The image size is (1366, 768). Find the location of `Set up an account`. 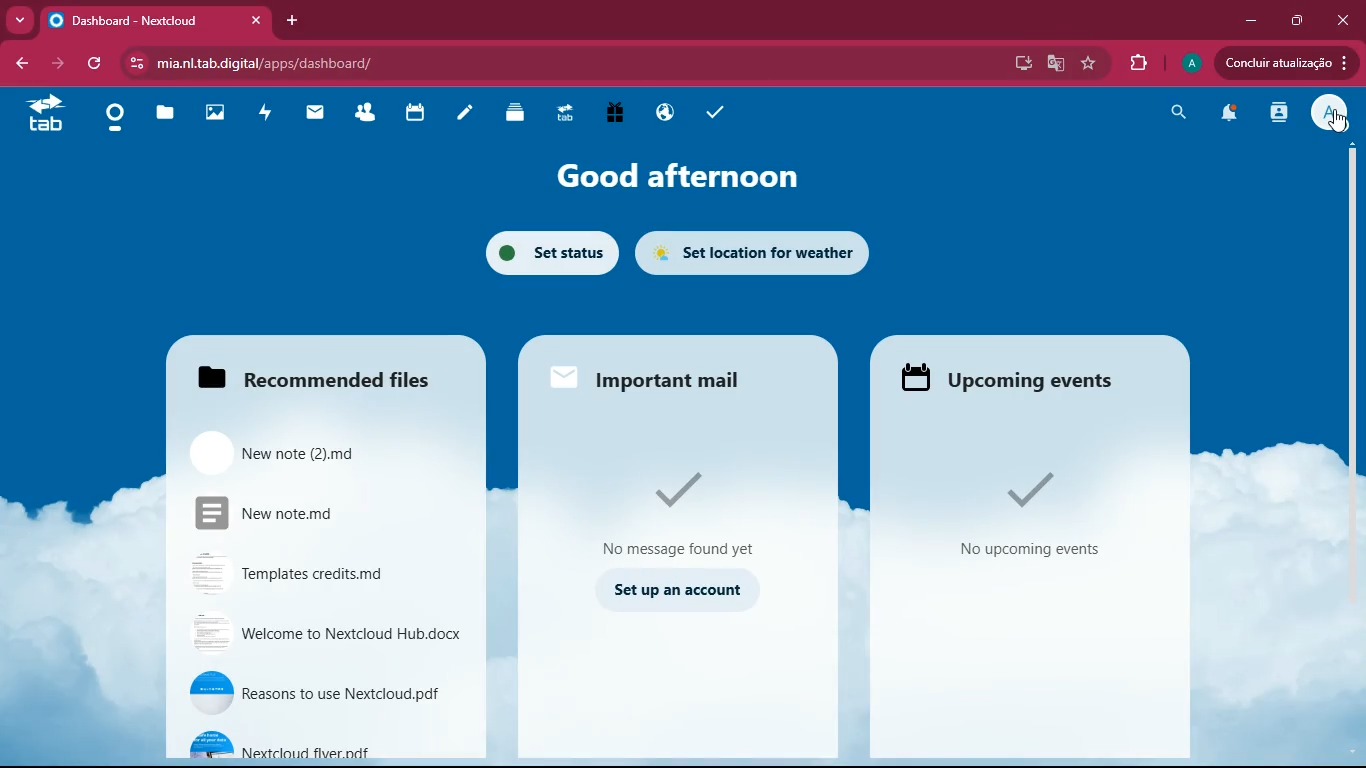

Set up an account is located at coordinates (672, 590).